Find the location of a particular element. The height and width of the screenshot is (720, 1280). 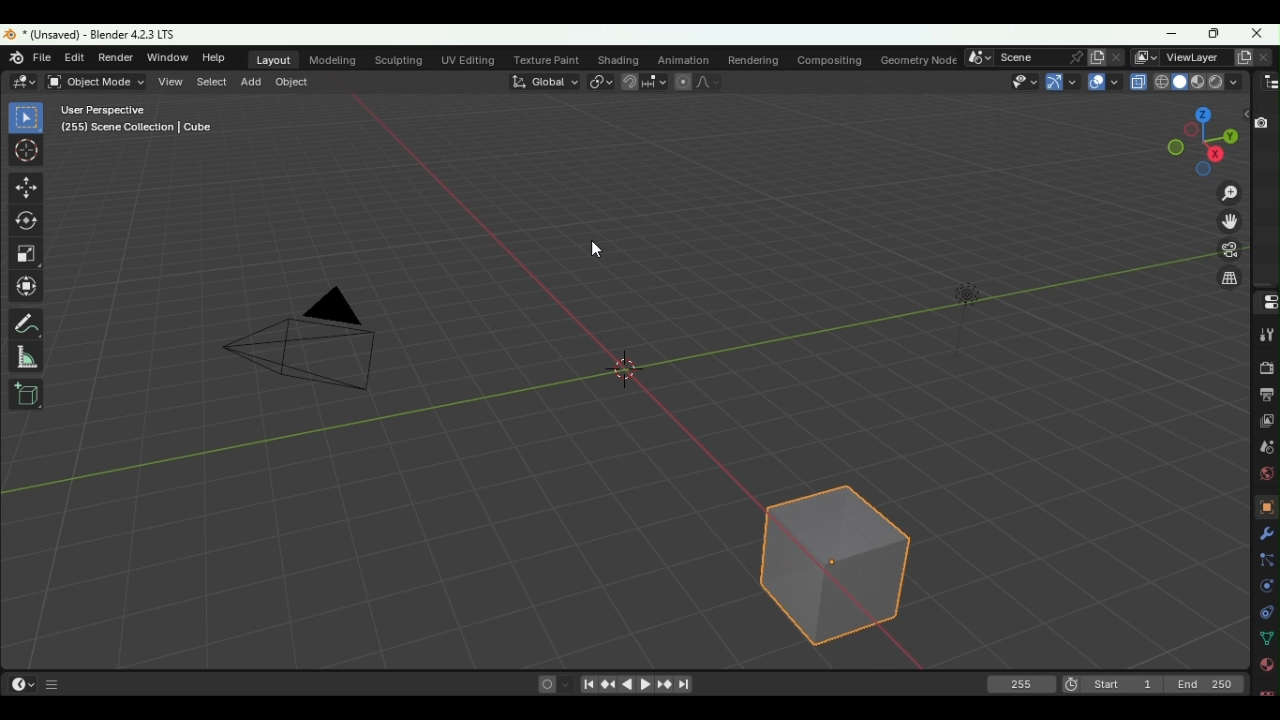

Shading is located at coordinates (1234, 82).